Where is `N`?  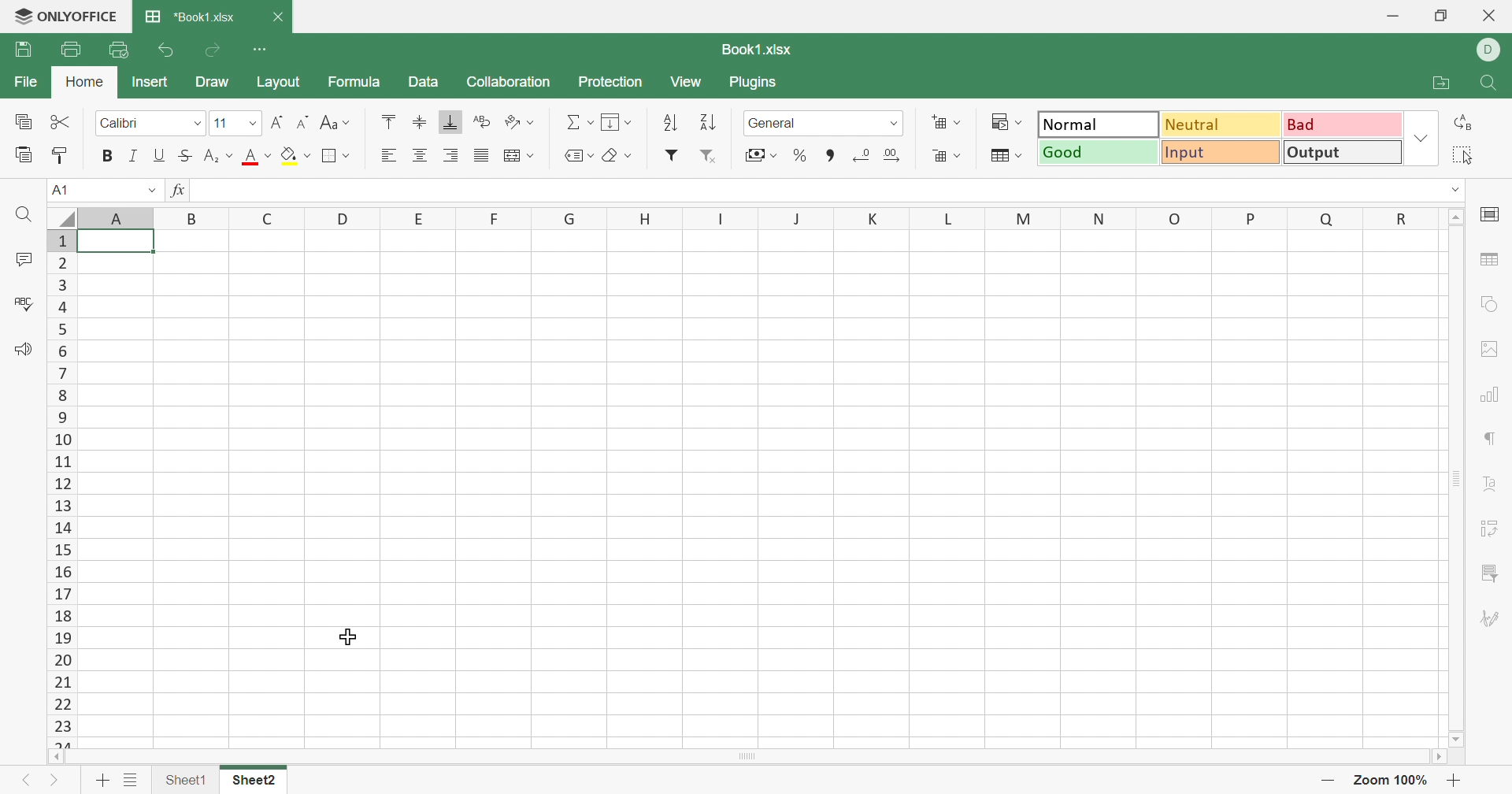
N is located at coordinates (1098, 220).